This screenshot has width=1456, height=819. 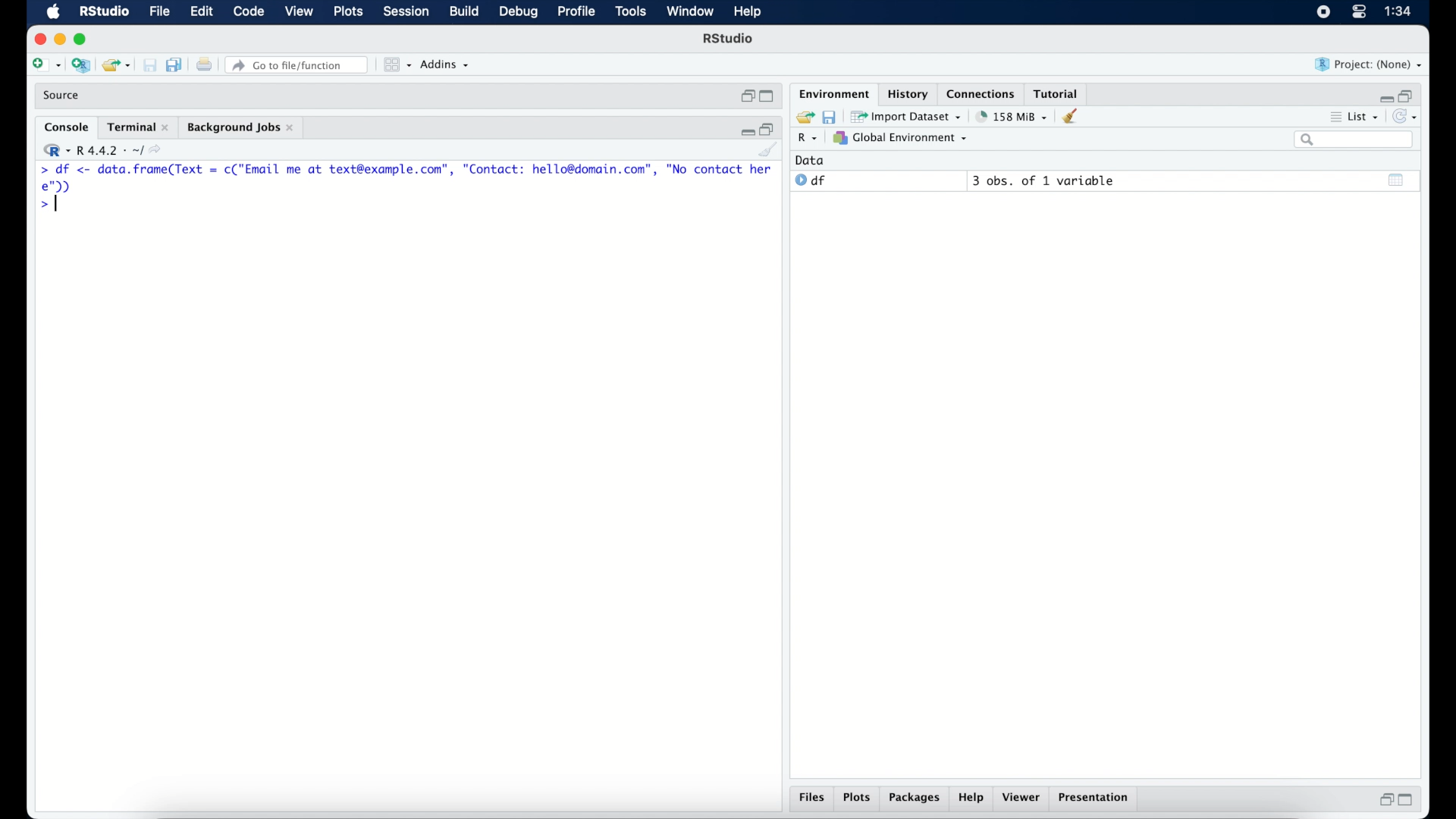 What do you see at coordinates (1370, 65) in the screenshot?
I see `project (none)` at bounding box center [1370, 65].